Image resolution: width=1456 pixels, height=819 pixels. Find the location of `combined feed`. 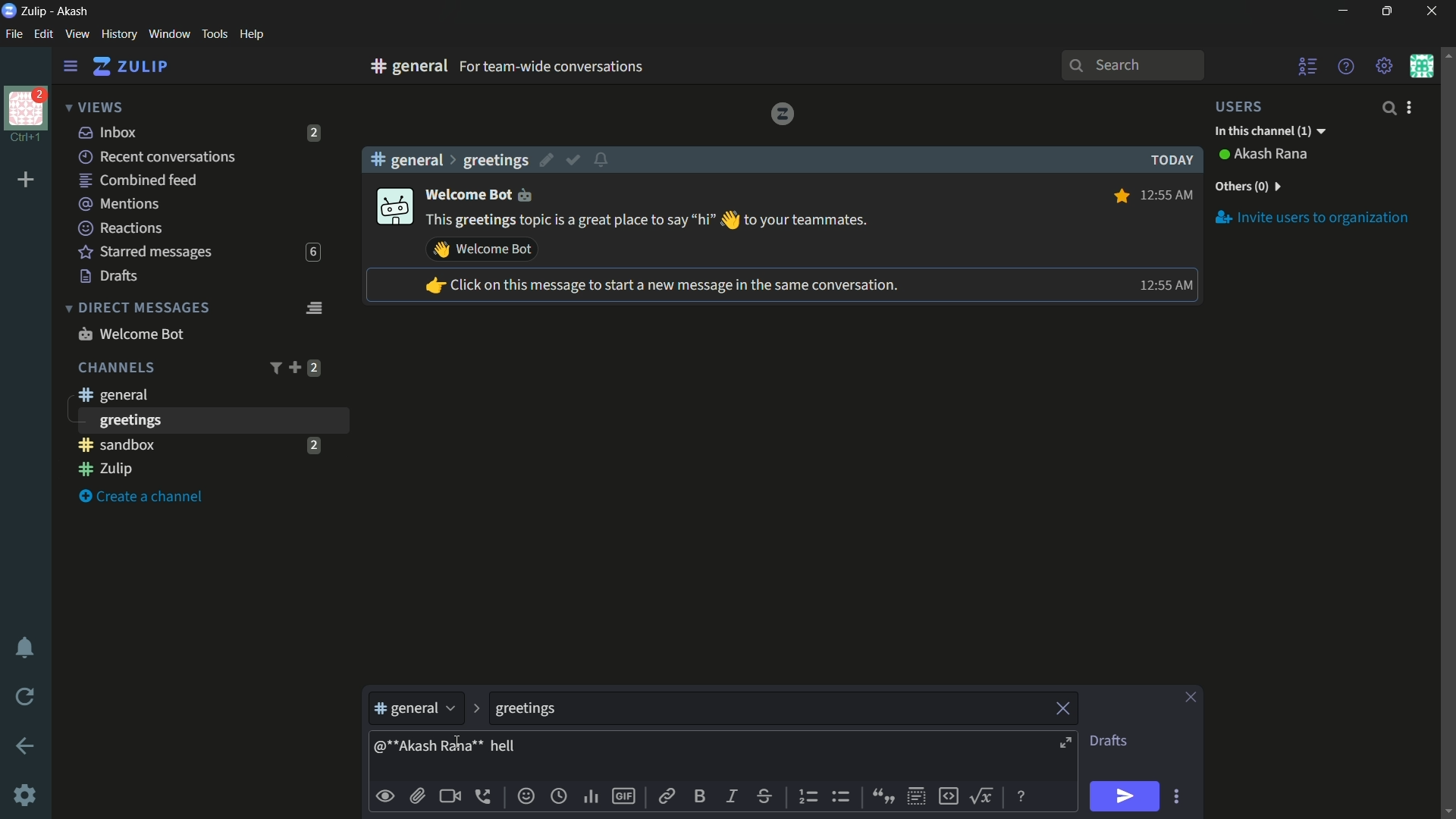

combined feed is located at coordinates (137, 181).